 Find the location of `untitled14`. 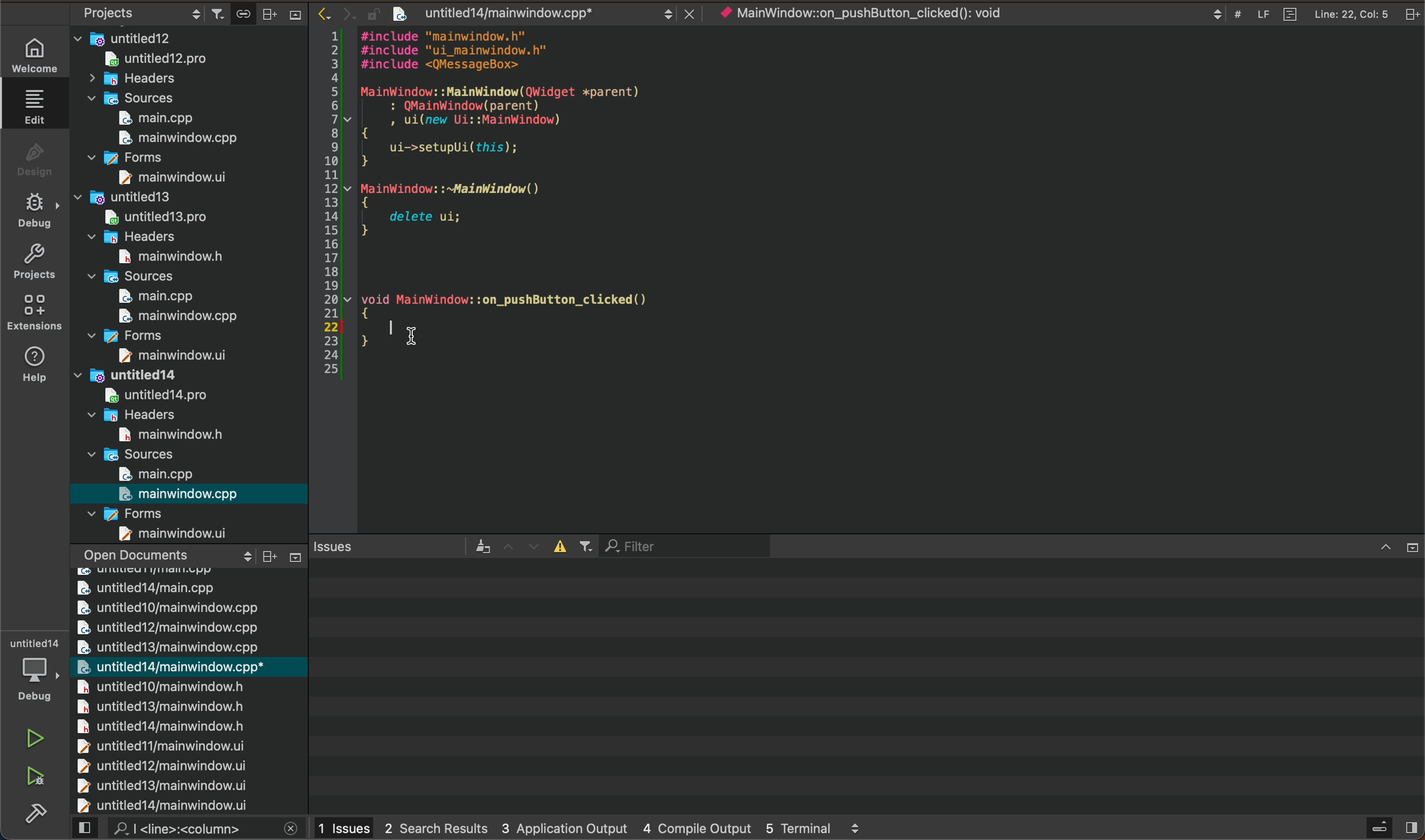

untitled14 is located at coordinates (148, 374).